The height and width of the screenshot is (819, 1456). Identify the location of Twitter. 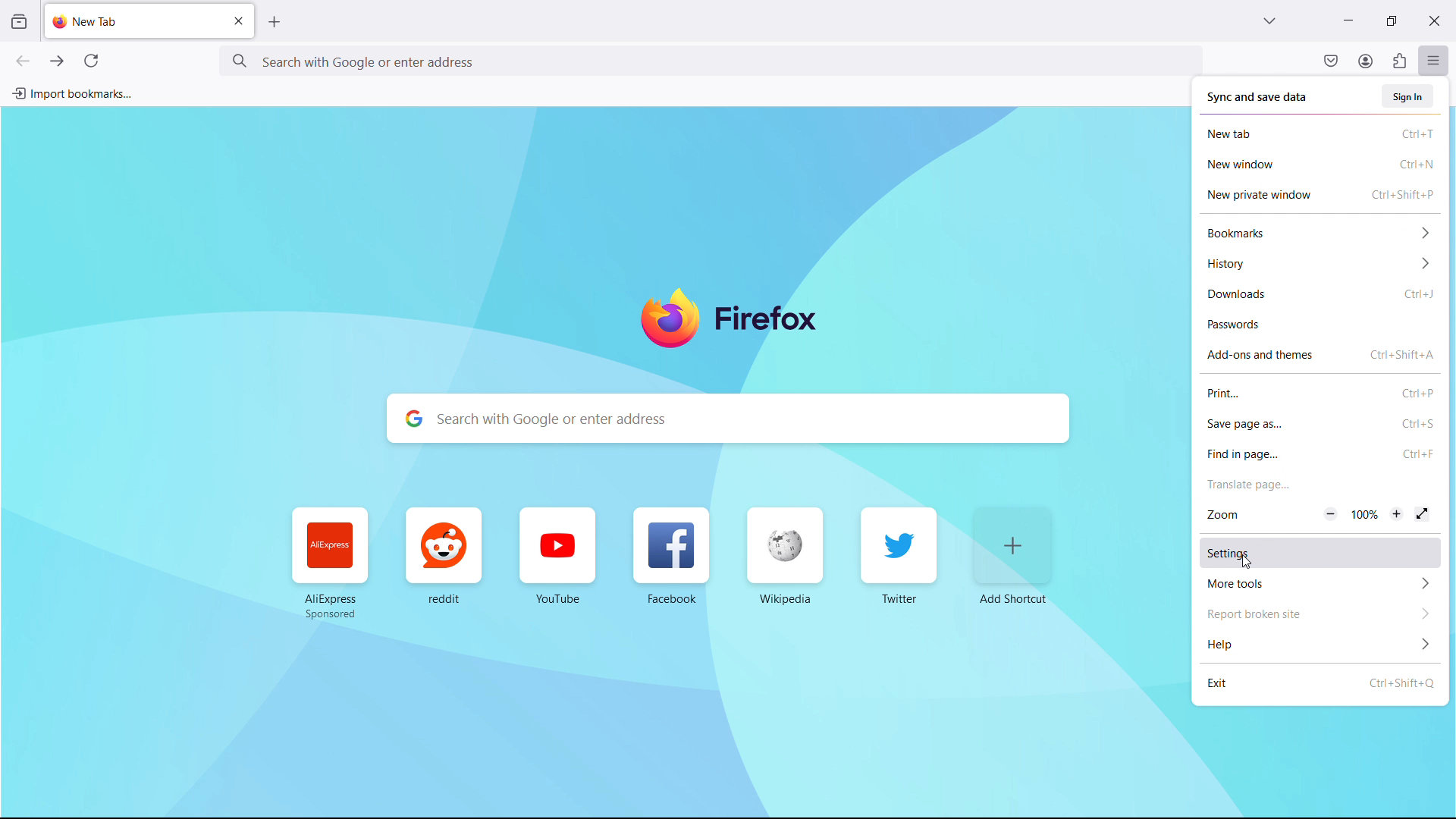
(898, 554).